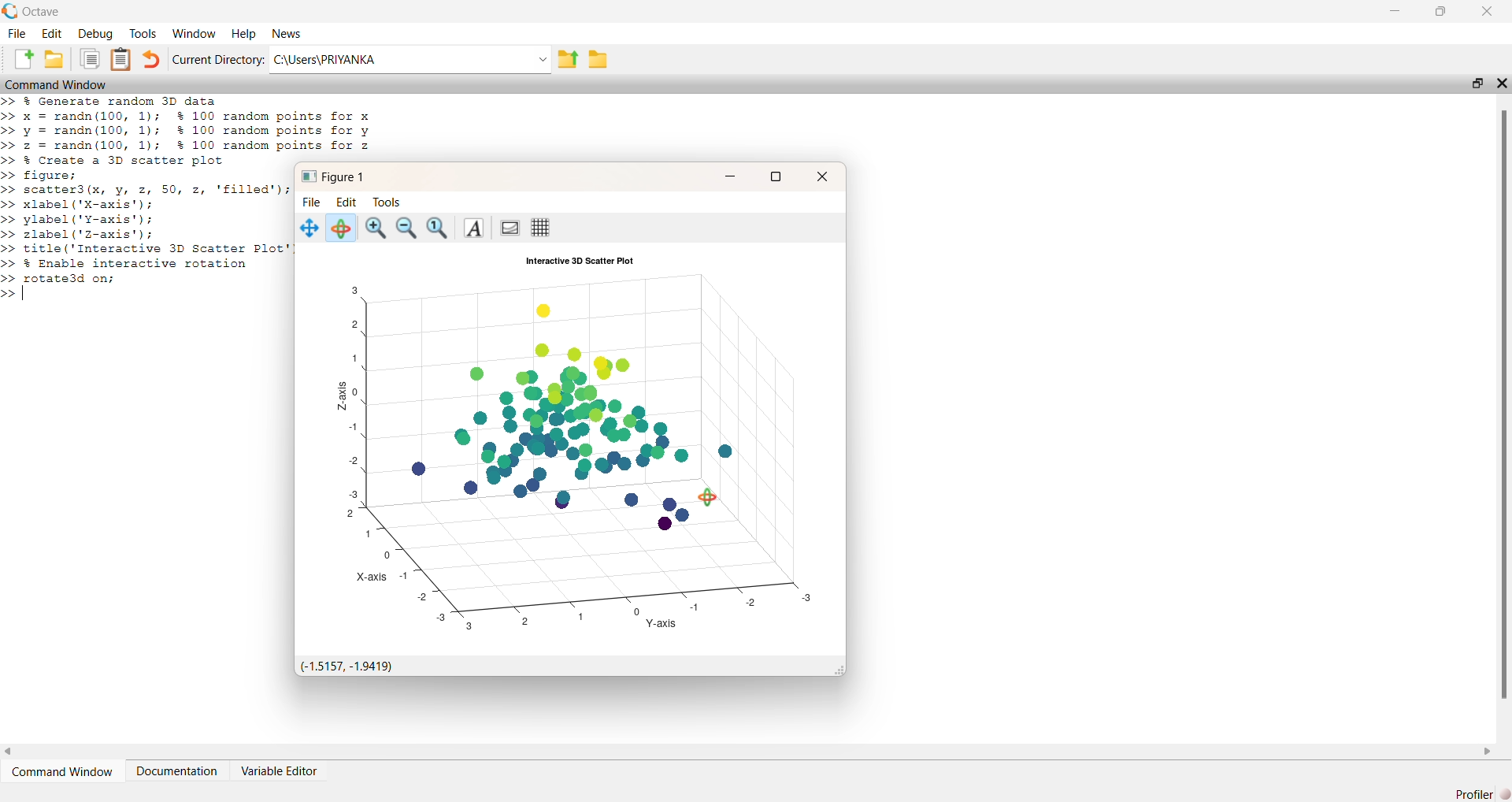 The width and height of the screenshot is (1512, 802). Describe the element at coordinates (245, 34) in the screenshot. I see `Help` at that location.